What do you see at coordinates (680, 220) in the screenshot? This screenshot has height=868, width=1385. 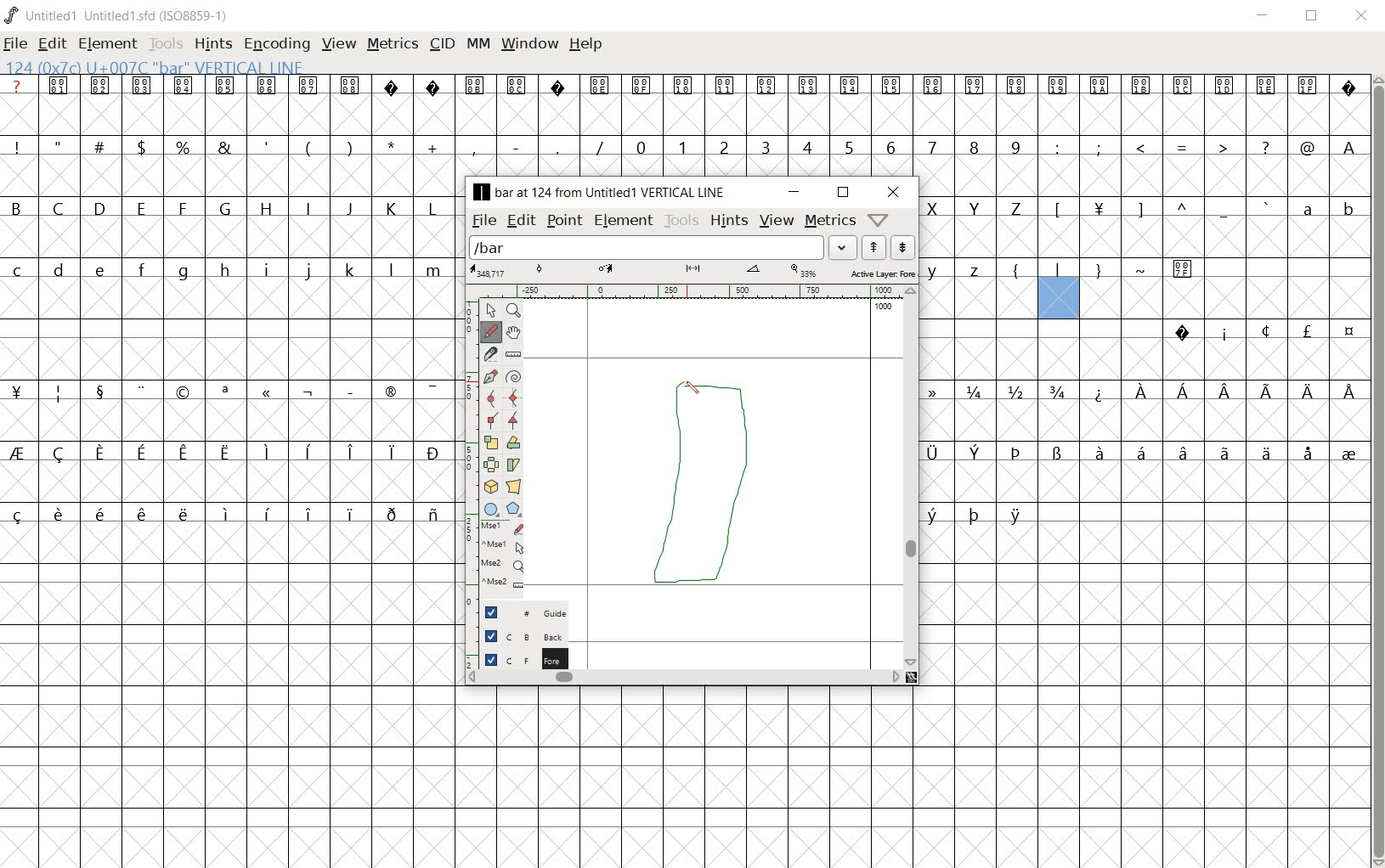 I see `tools` at bounding box center [680, 220].